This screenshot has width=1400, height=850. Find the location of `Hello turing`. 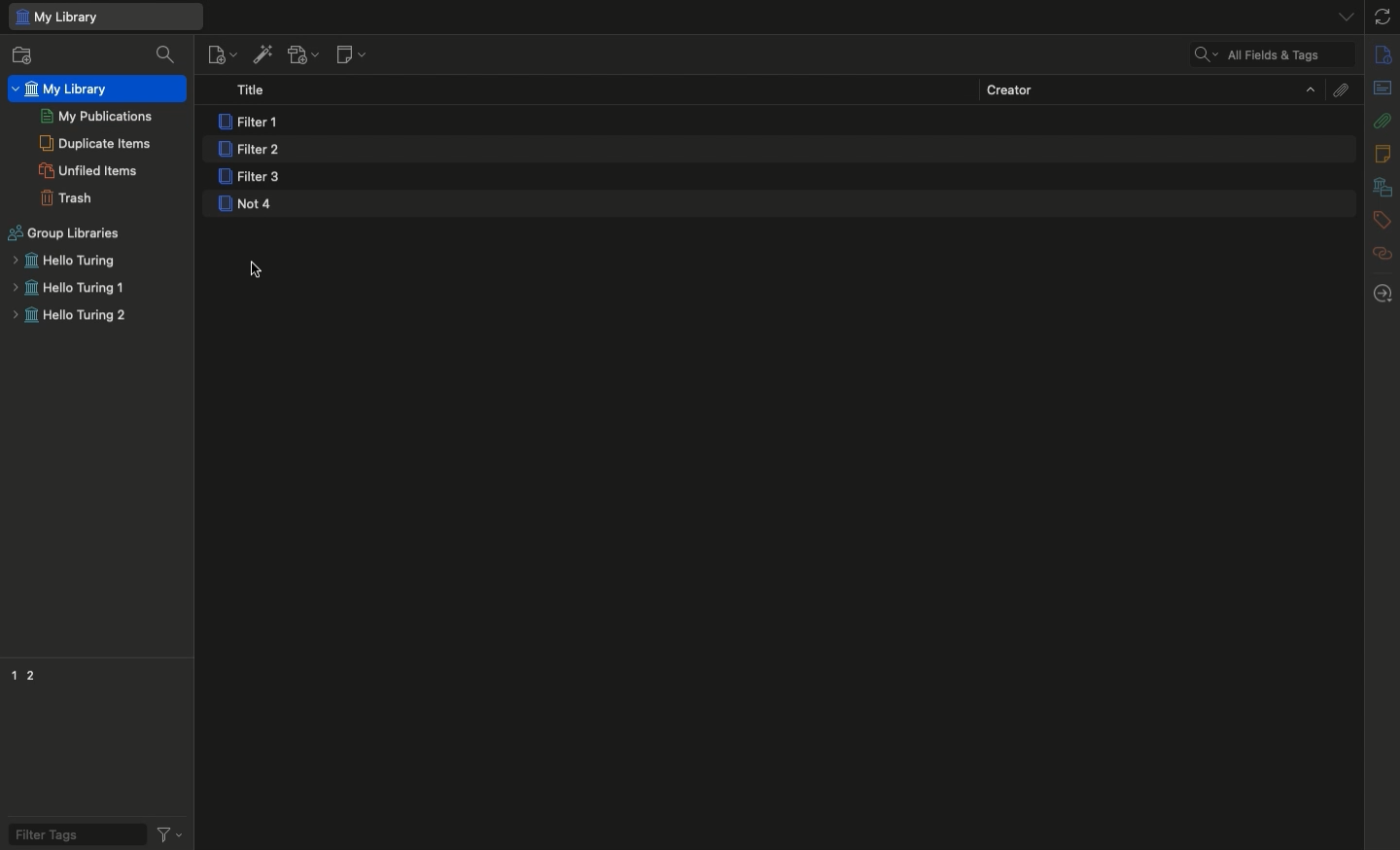

Hello turing is located at coordinates (65, 263).